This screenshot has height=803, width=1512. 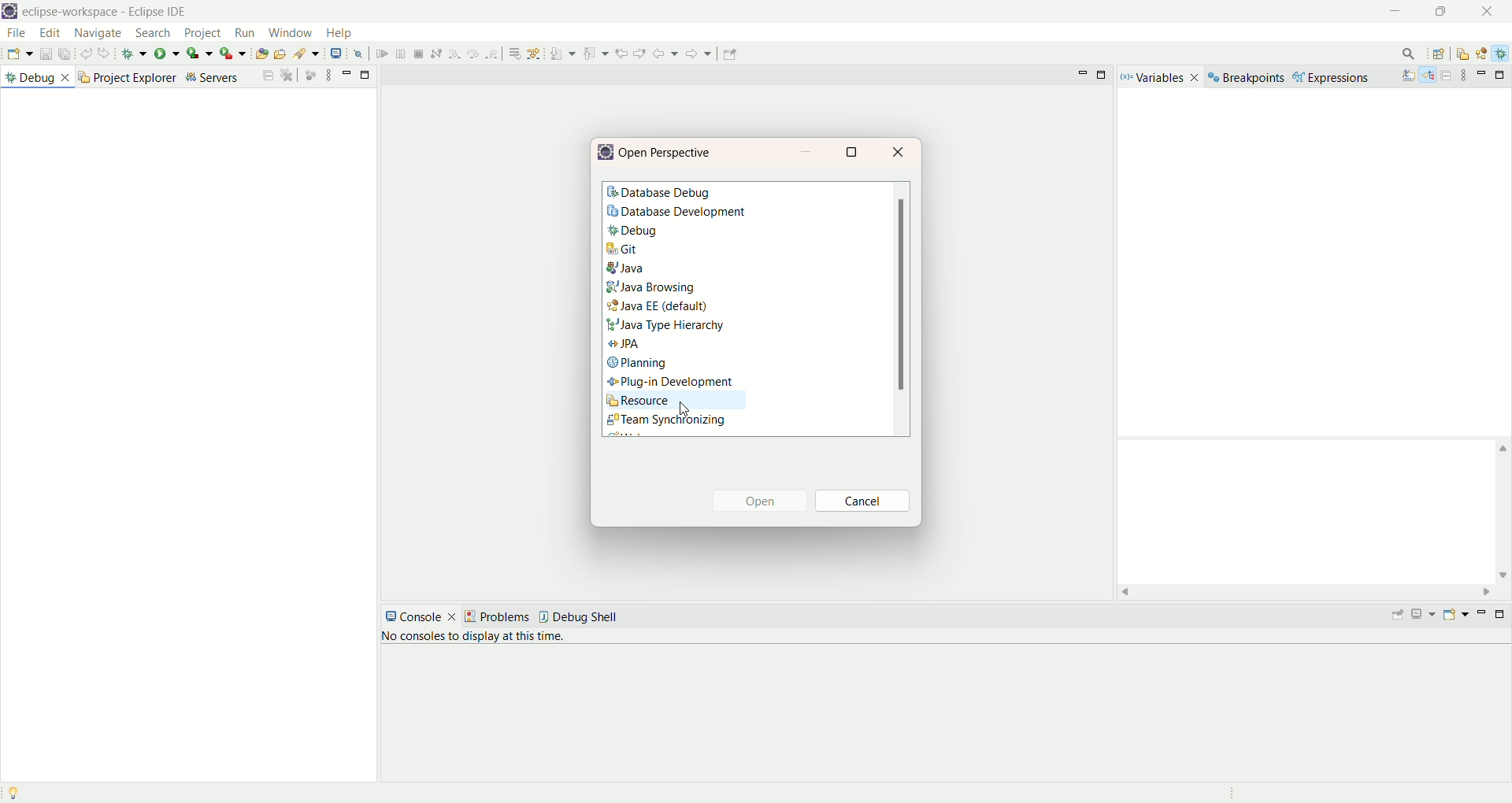 I want to click on window, so click(x=292, y=33).